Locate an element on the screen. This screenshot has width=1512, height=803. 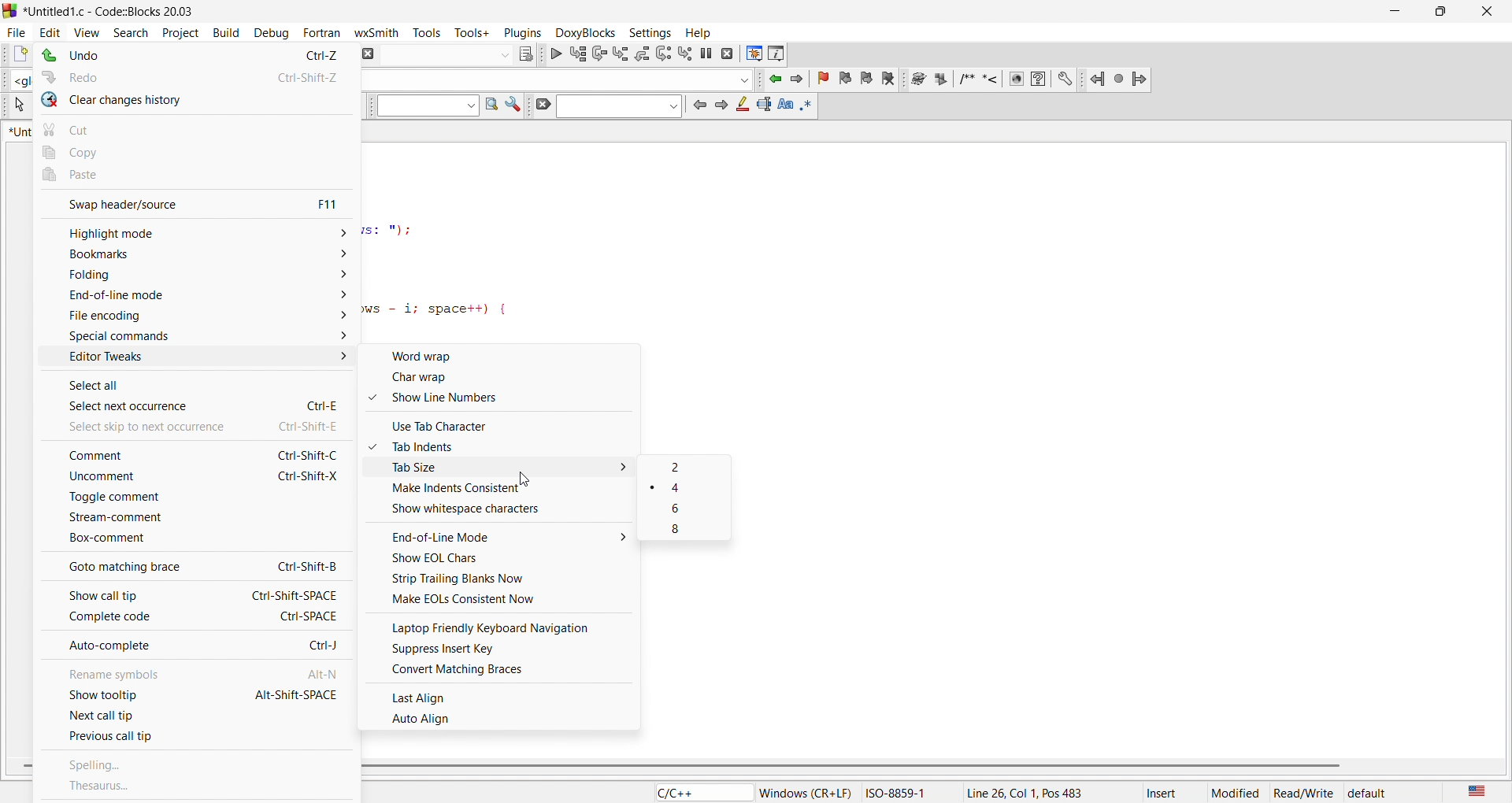
file encoding  is located at coordinates (192, 319).